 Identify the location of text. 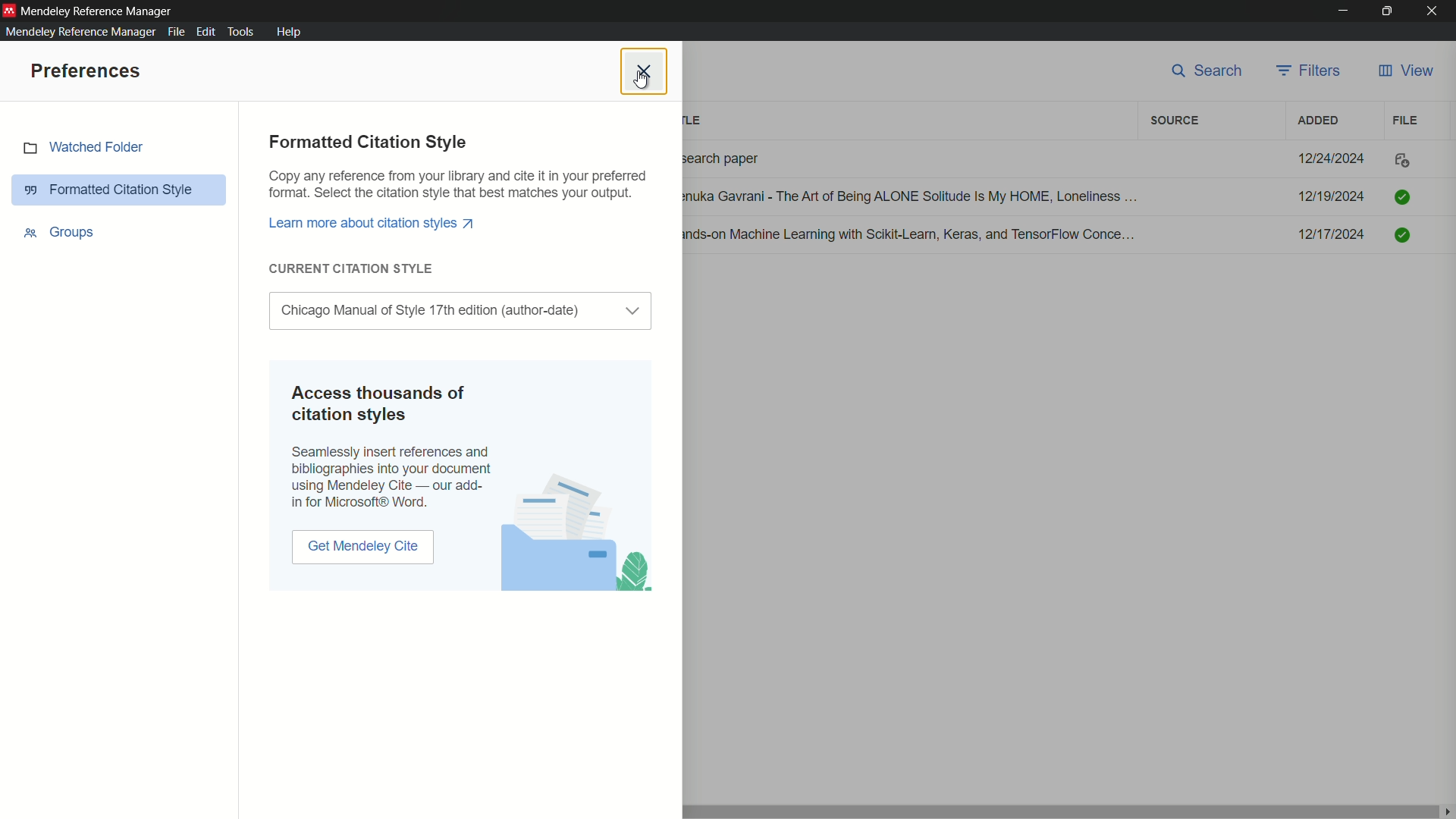
(458, 185).